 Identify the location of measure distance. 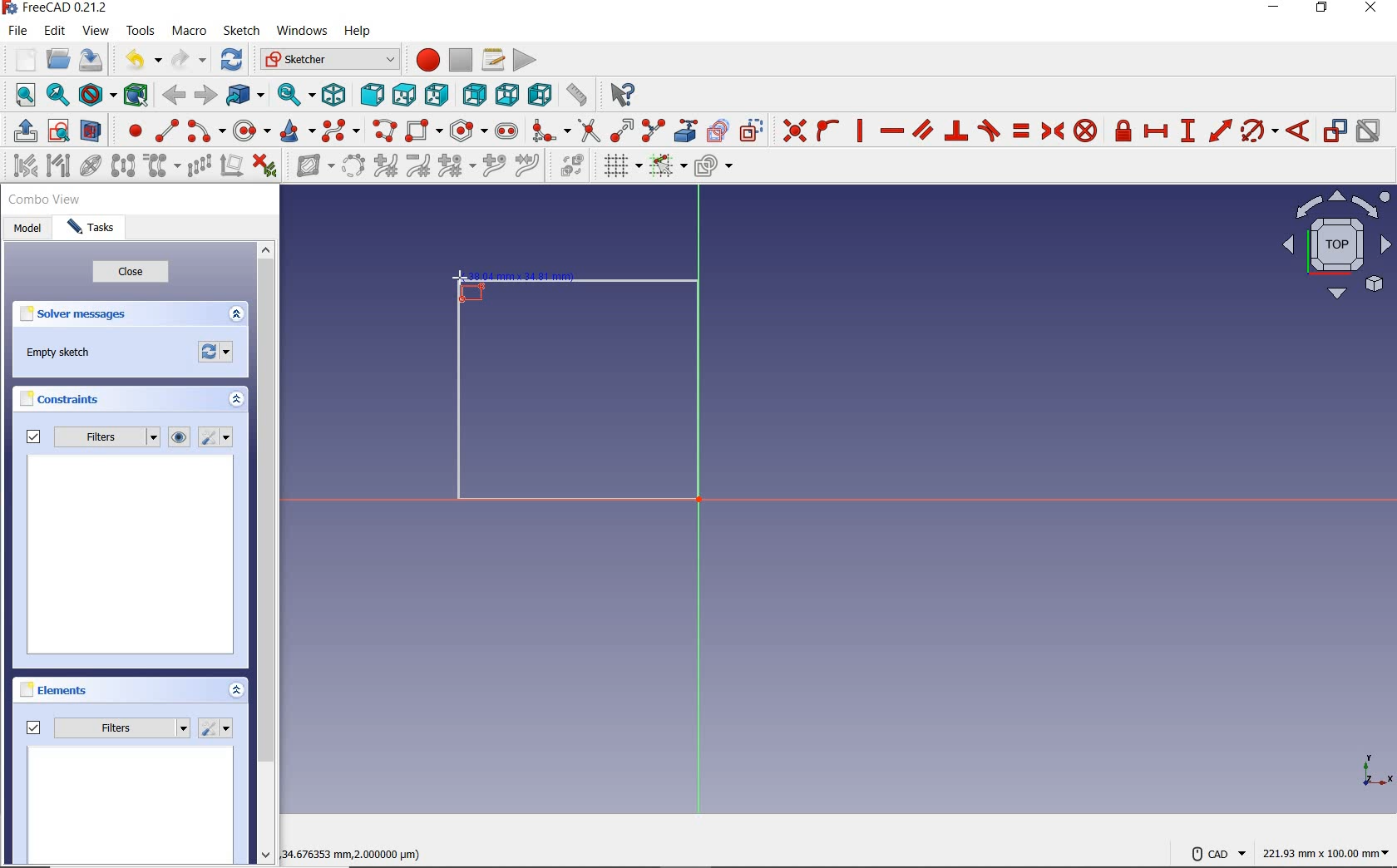
(576, 96).